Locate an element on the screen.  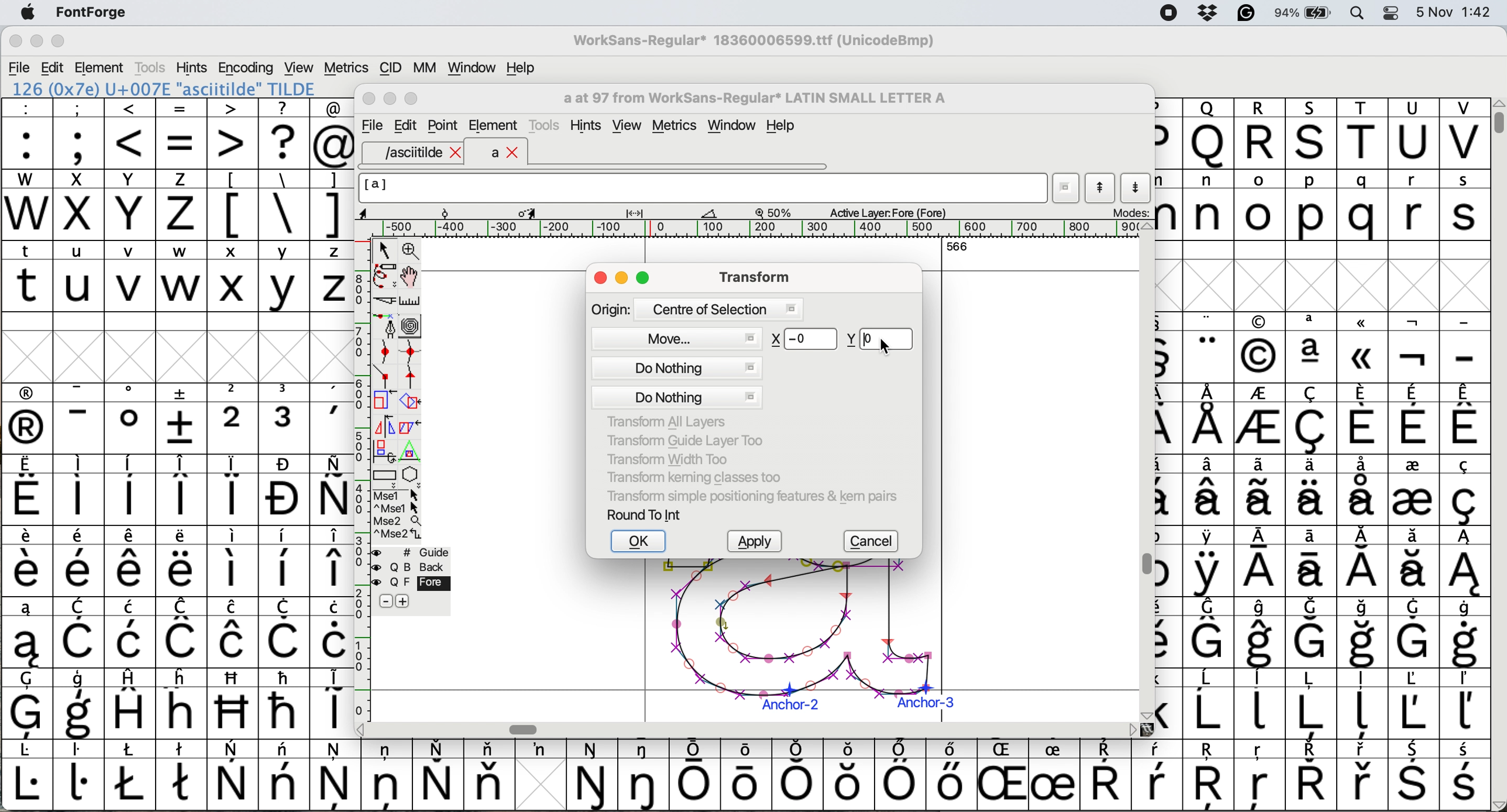
symbol is located at coordinates (1210, 419).